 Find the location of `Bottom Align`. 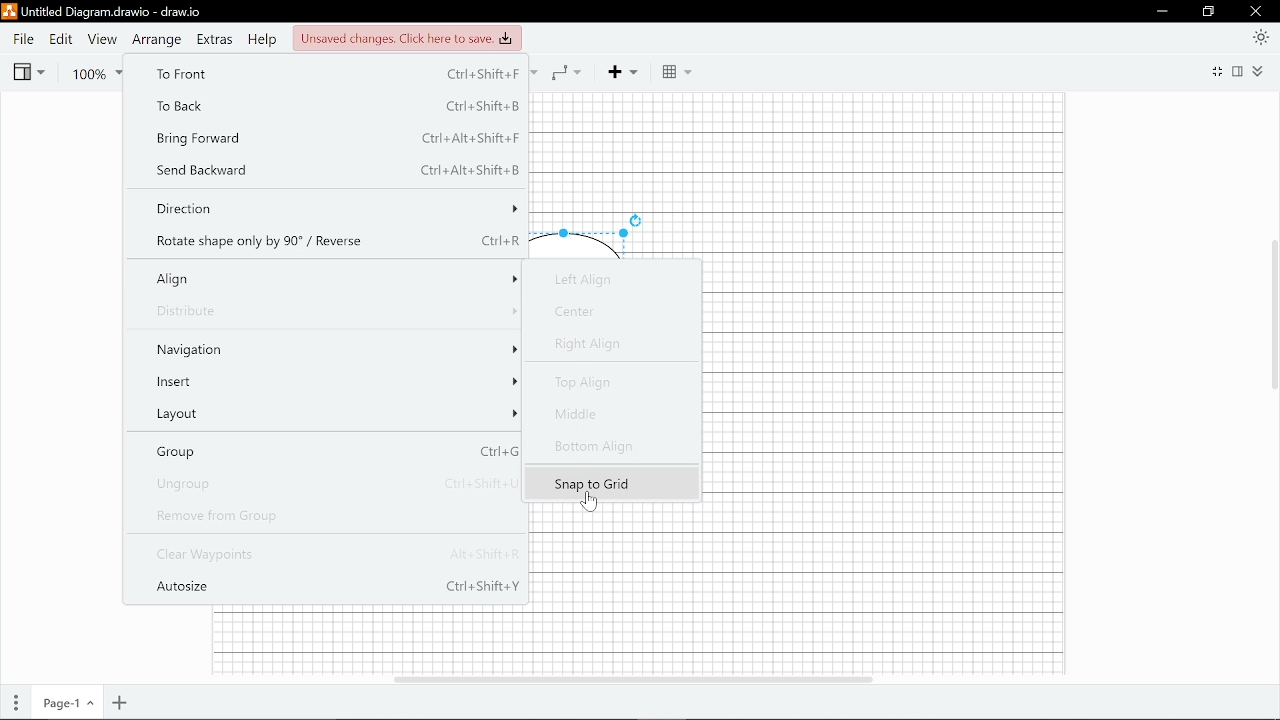

Bottom Align is located at coordinates (607, 446).